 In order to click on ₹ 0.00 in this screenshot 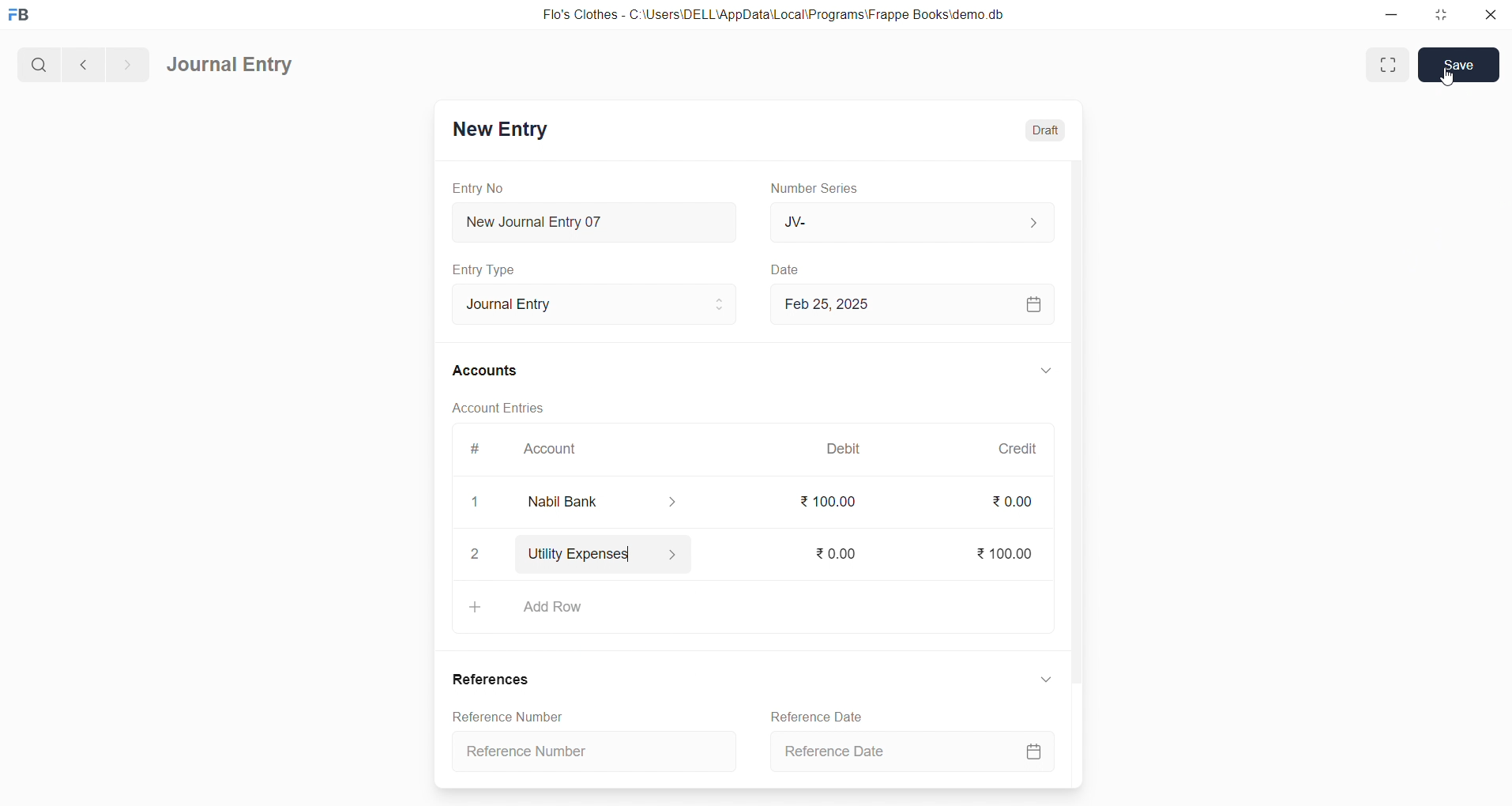, I will do `click(1011, 502)`.